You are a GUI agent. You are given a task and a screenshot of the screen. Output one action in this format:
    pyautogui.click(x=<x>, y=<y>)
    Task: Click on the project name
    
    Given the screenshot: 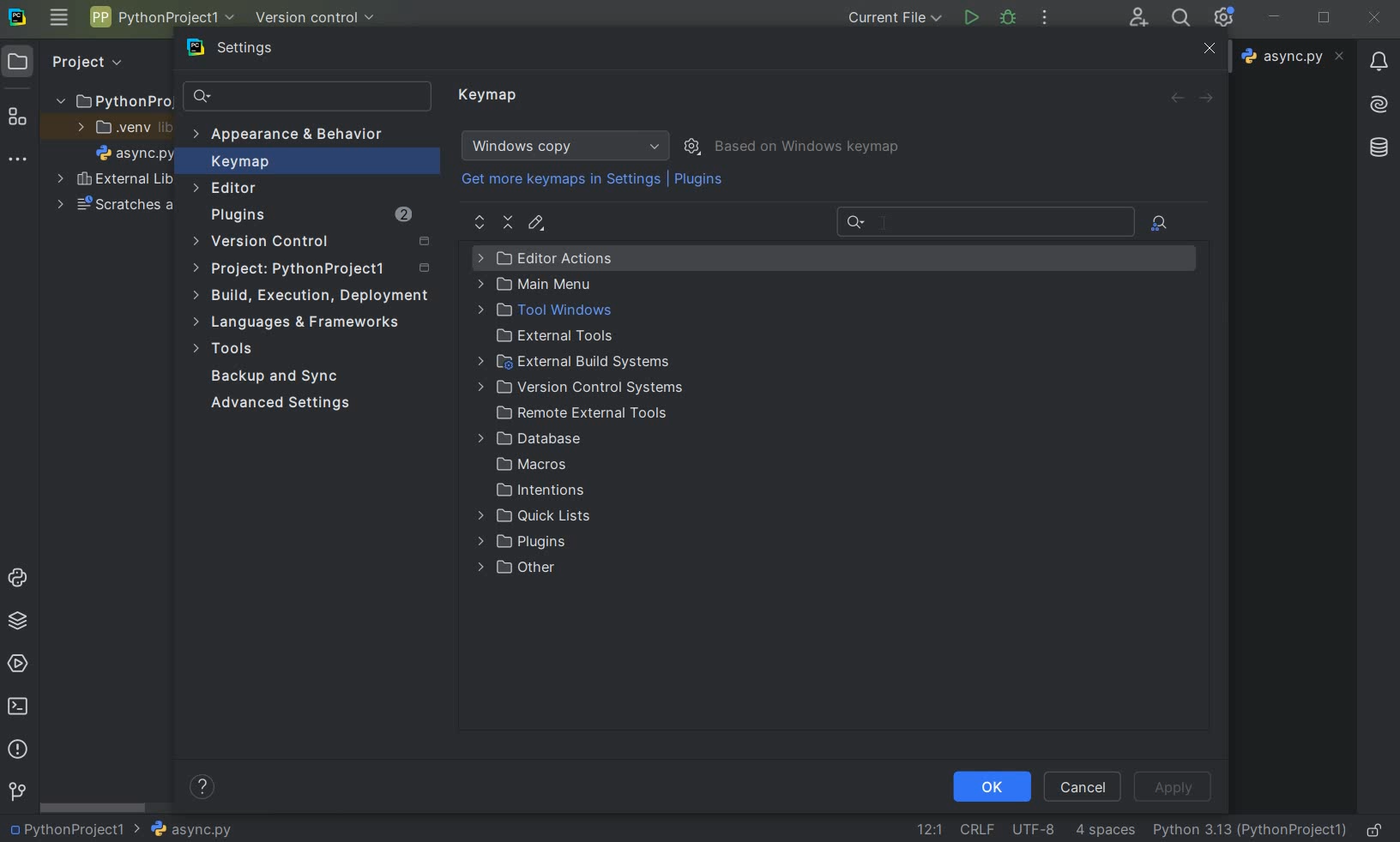 What is the action you would take?
    pyautogui.click(x=112, y=98)
    